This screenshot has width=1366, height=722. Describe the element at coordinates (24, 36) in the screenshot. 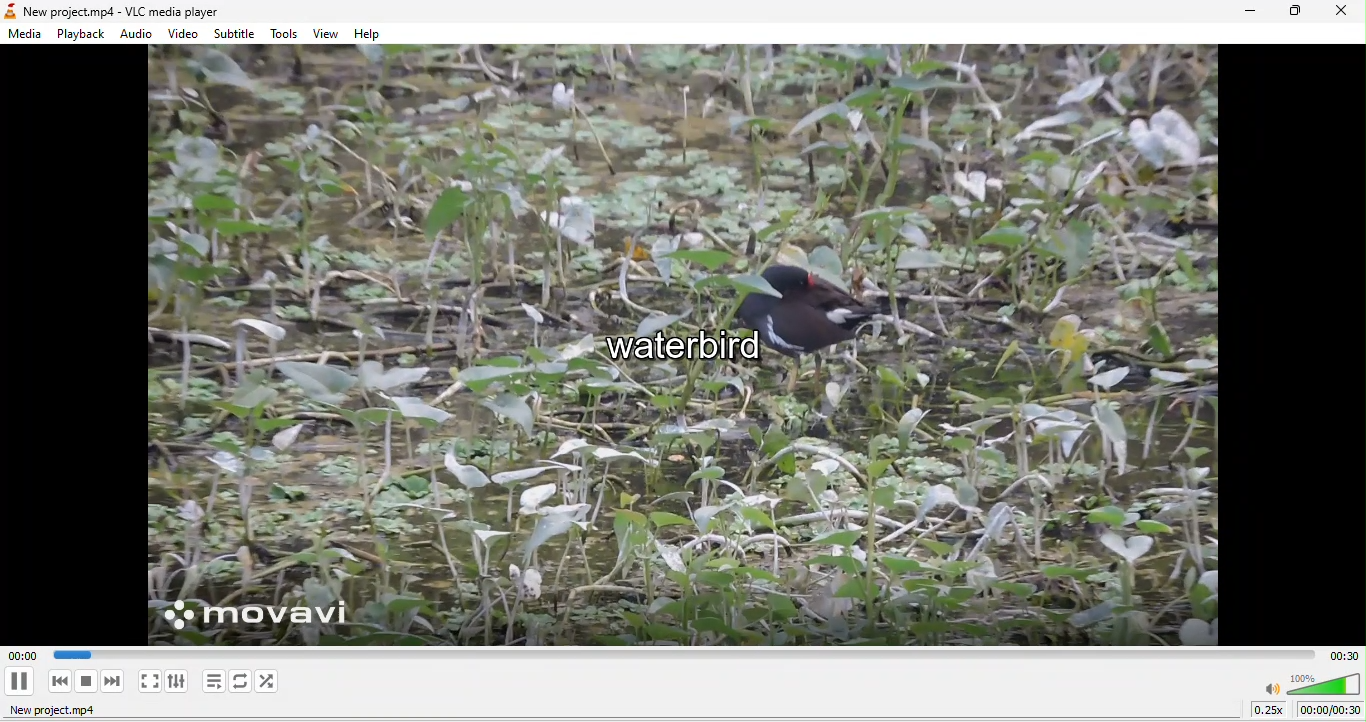

I see `media` at that location.